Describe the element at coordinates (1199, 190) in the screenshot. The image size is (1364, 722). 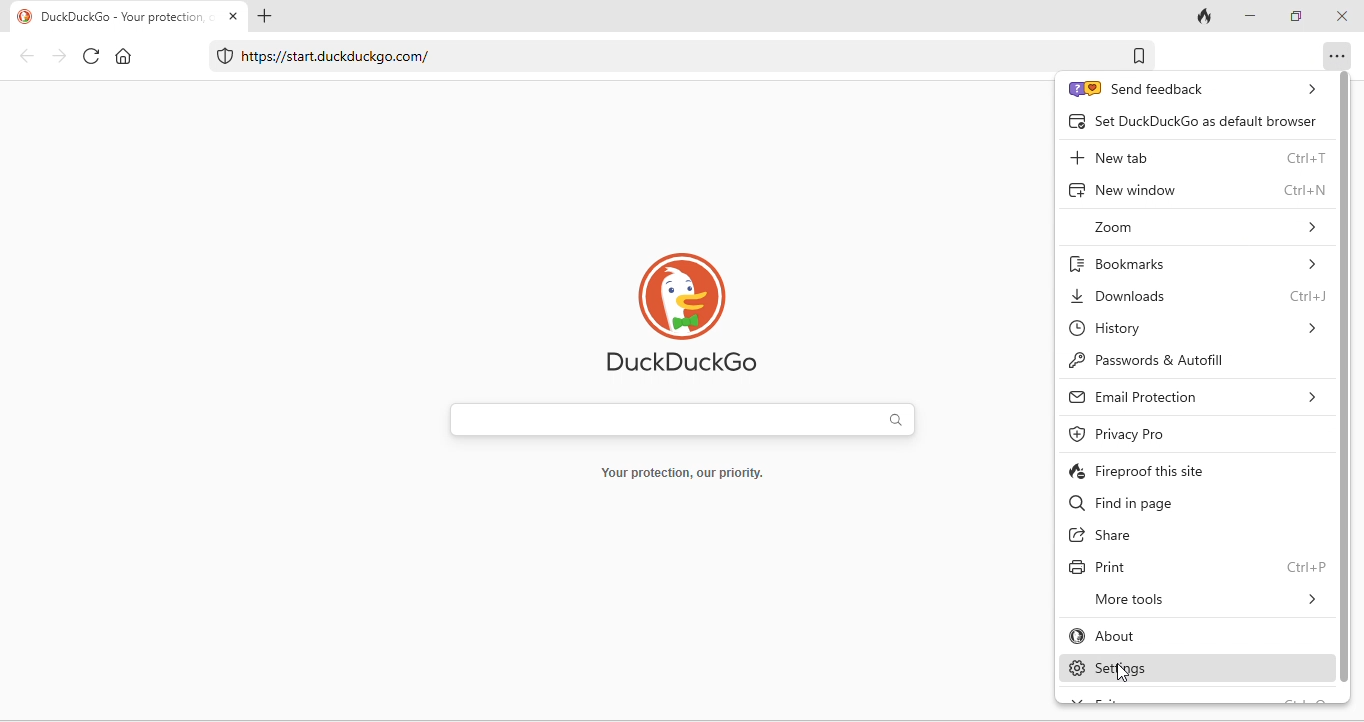
I see `new window` at that location.